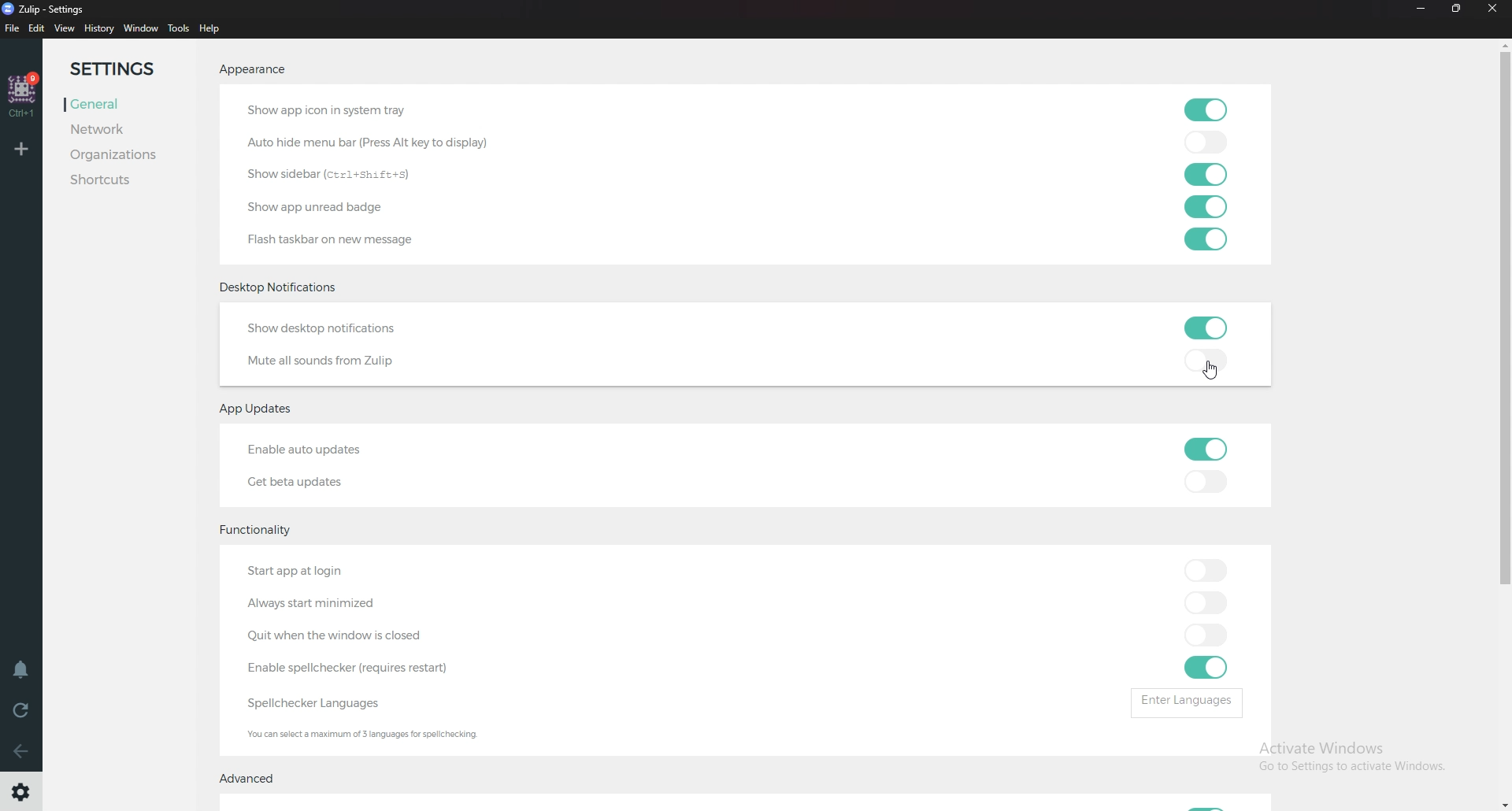 The width and height of the screenshot is (1512, 811). Describe the element at coordinates (124, 67) in the screenshot. I see `Settings` at that location.